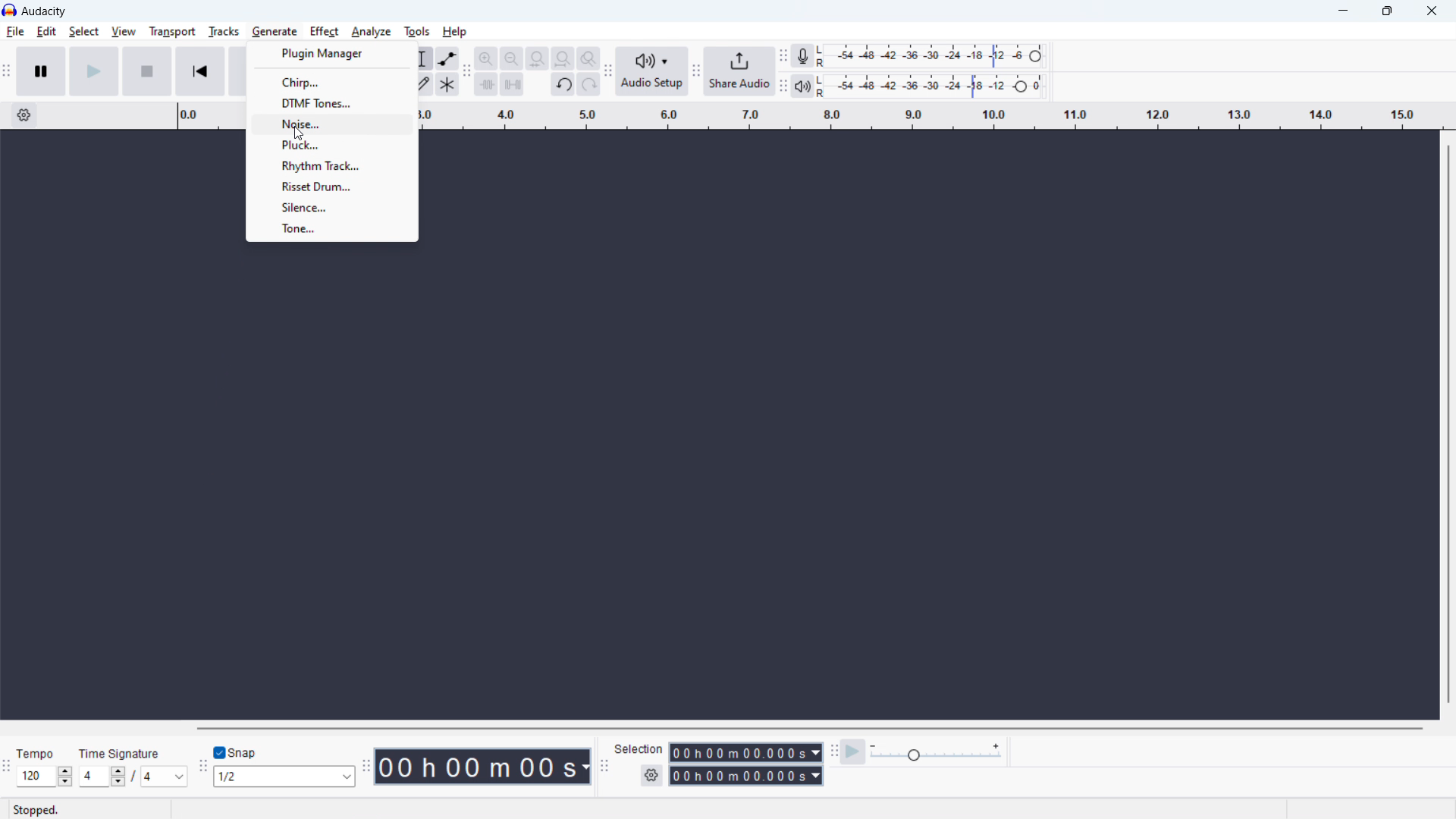  Describe the element at coordinates (487, 83) in the screenshot. I see `trim audio outside selction` at that location.